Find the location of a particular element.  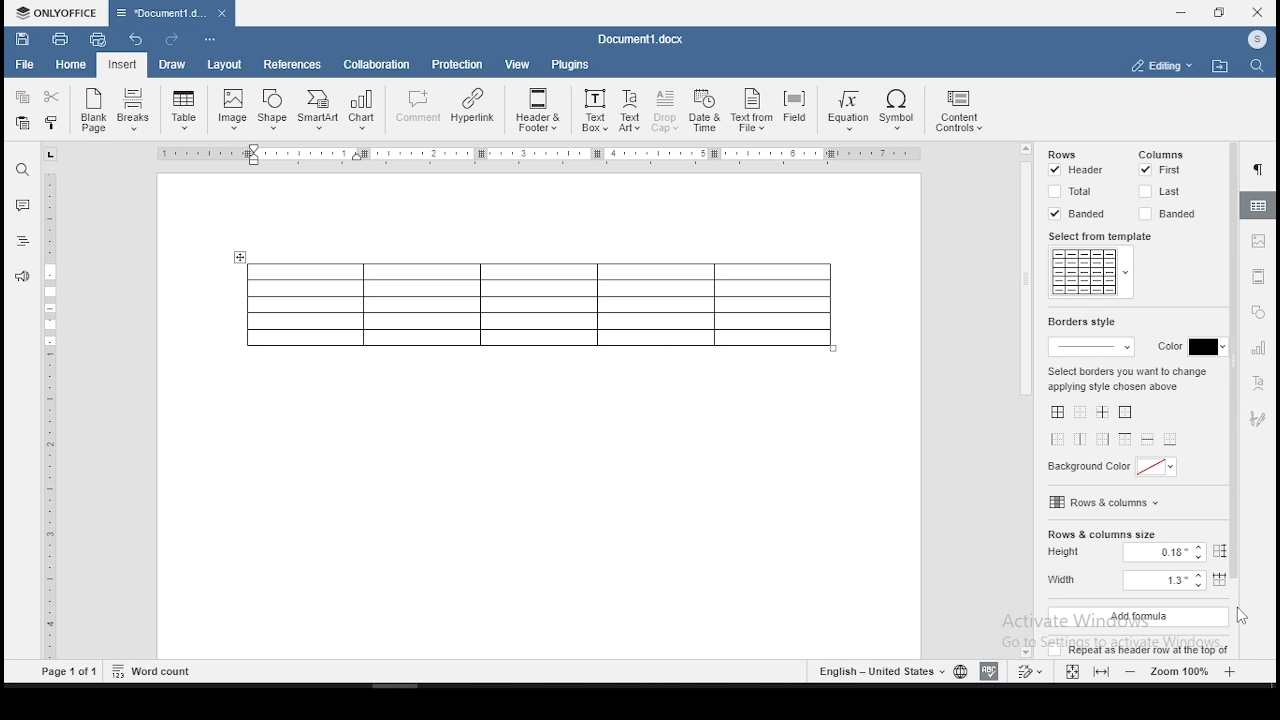

restore is located at coordinates (1219, 13).